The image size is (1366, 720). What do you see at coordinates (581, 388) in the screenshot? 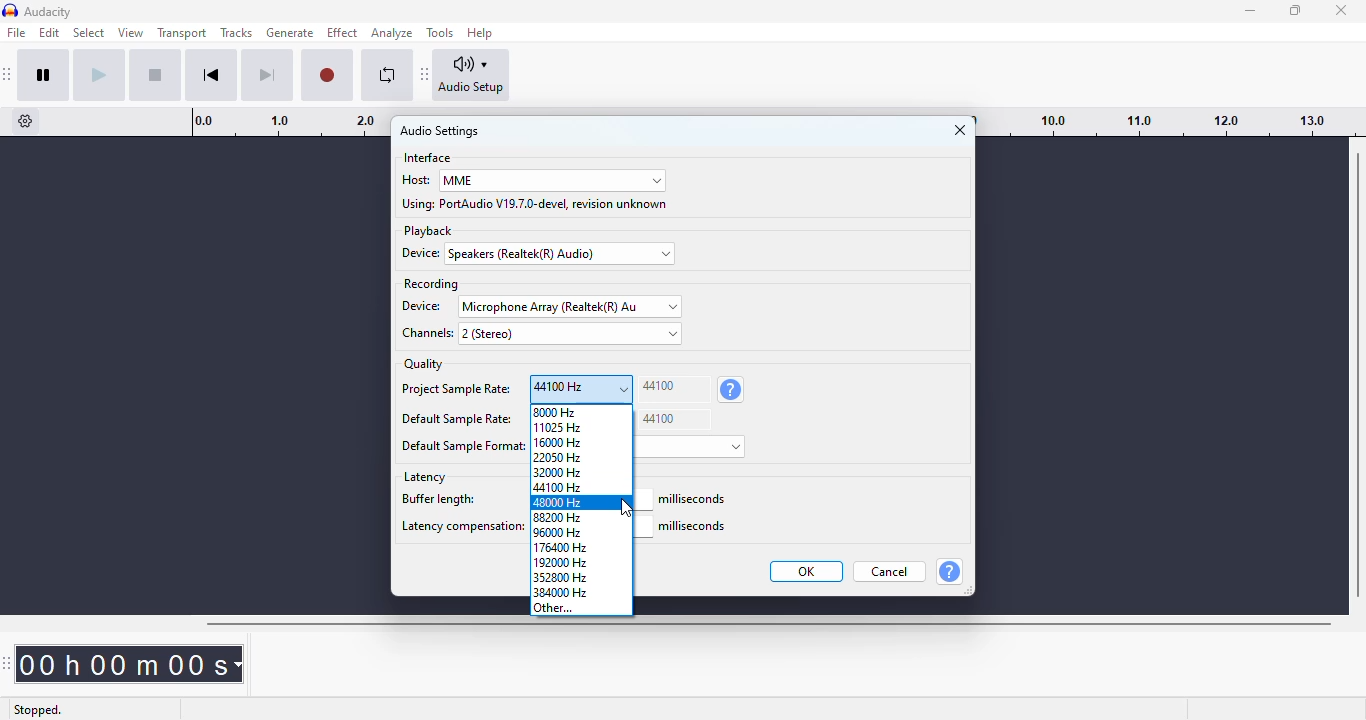
I see `select project sample rate` at bounding box center [581, 388].